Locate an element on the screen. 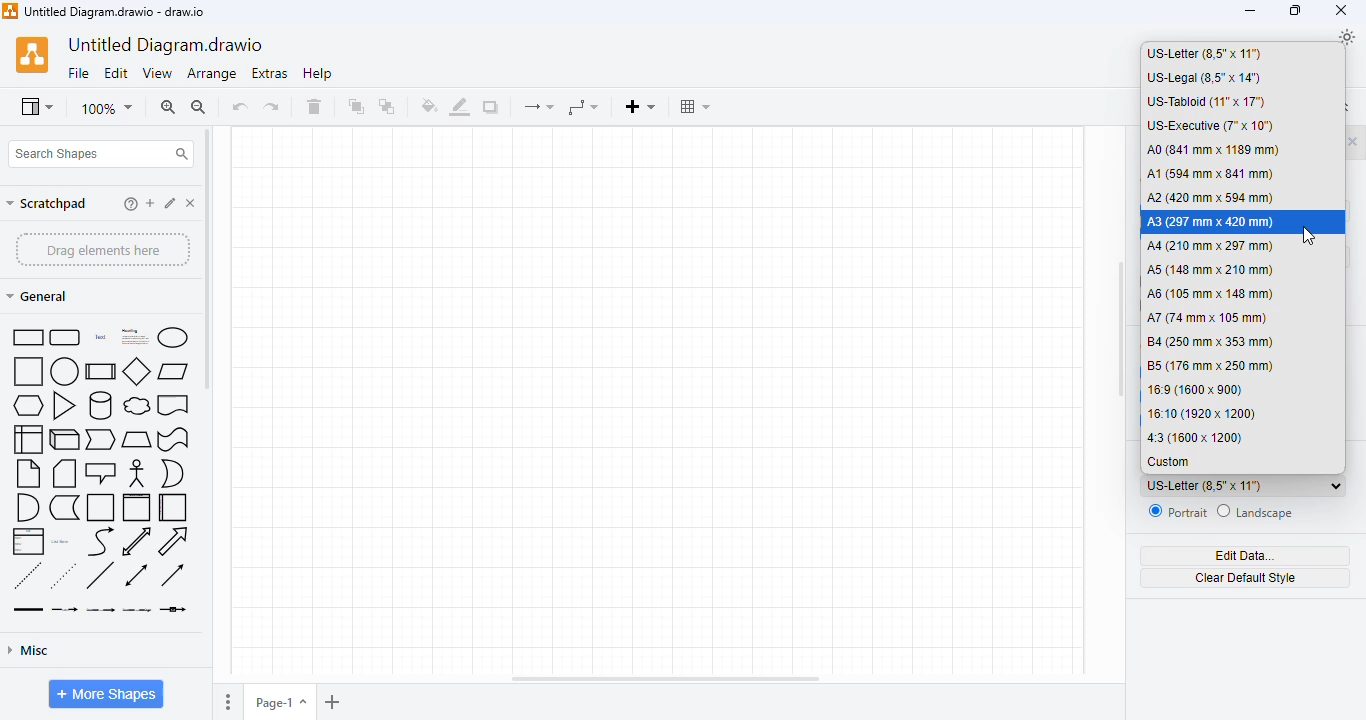  US-executive is located at coordinates (1210, 126).